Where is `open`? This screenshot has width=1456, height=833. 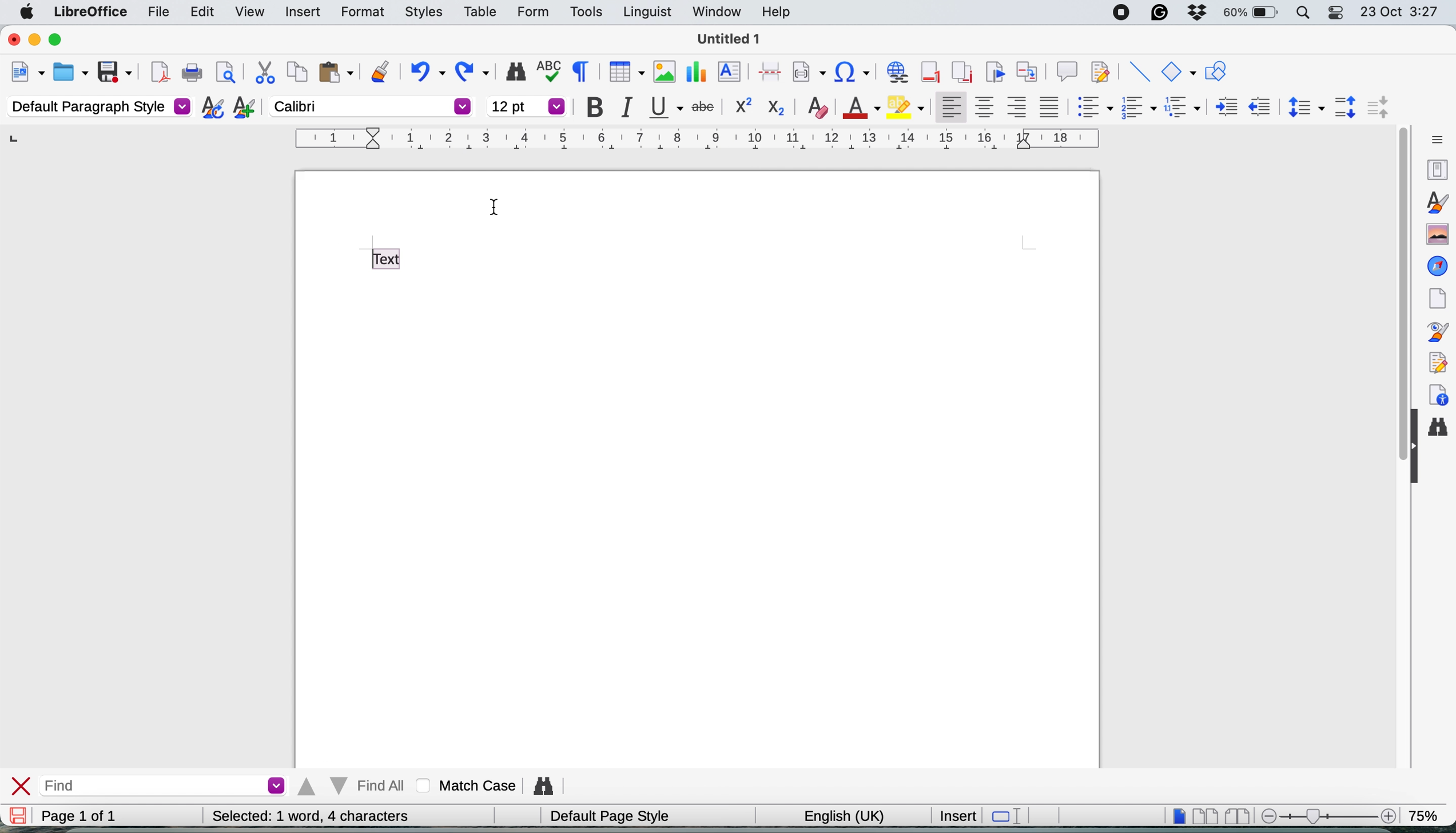 open is located at coordinates (71, 72).